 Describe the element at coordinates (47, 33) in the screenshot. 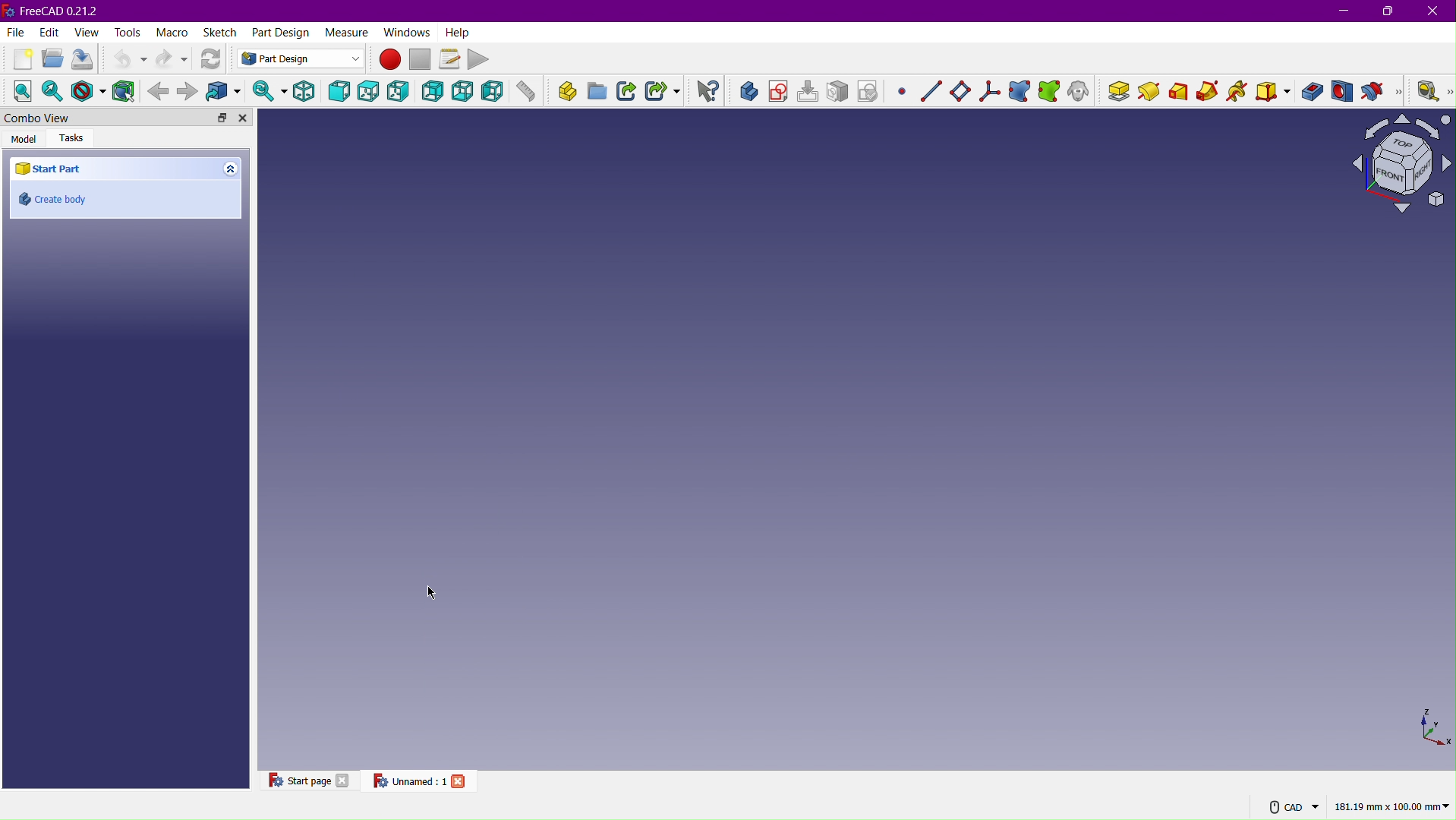

I see `Edit` at that location.